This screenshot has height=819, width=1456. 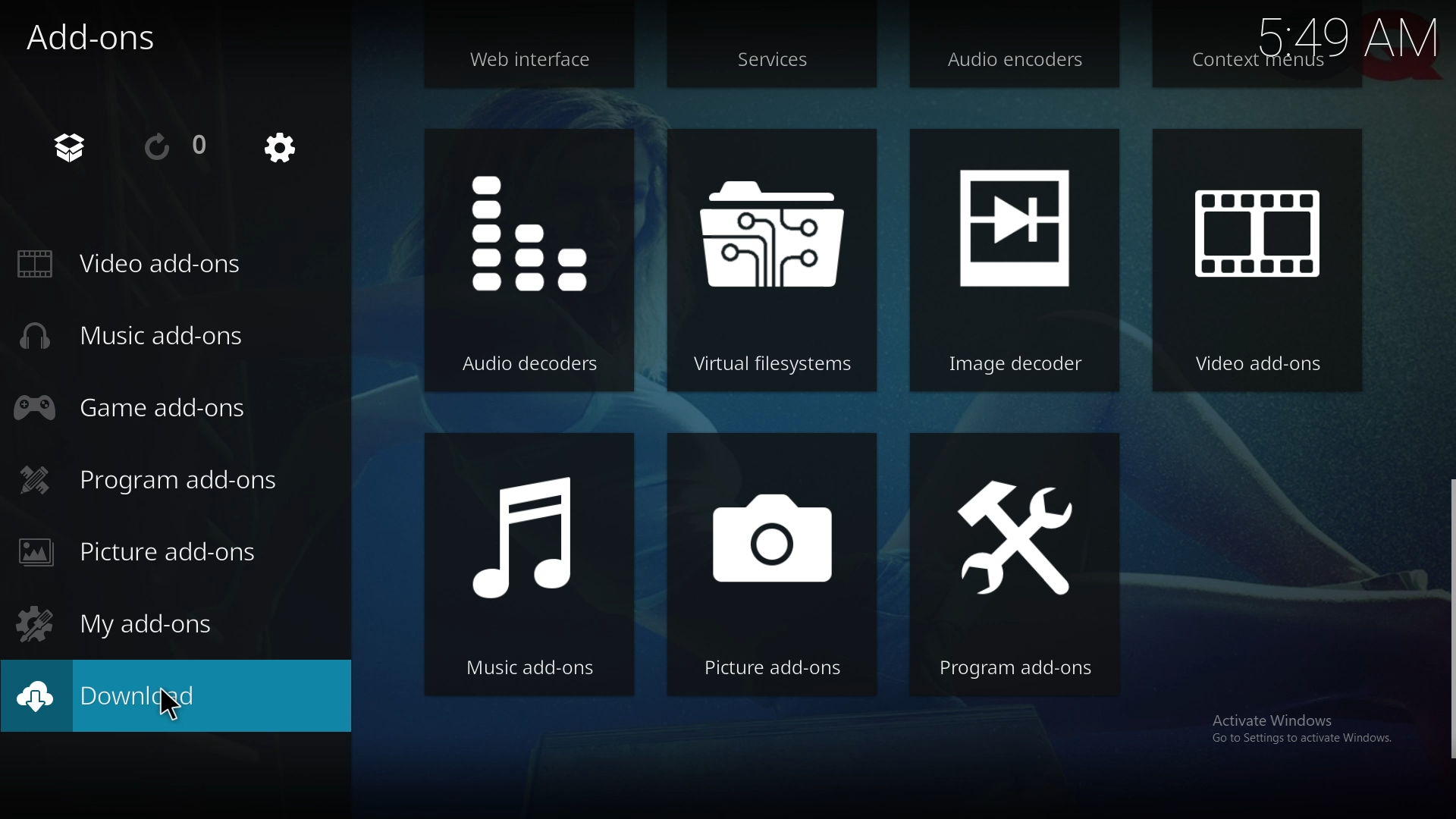 I want to click on add on browser, so click(x=70, y=147).